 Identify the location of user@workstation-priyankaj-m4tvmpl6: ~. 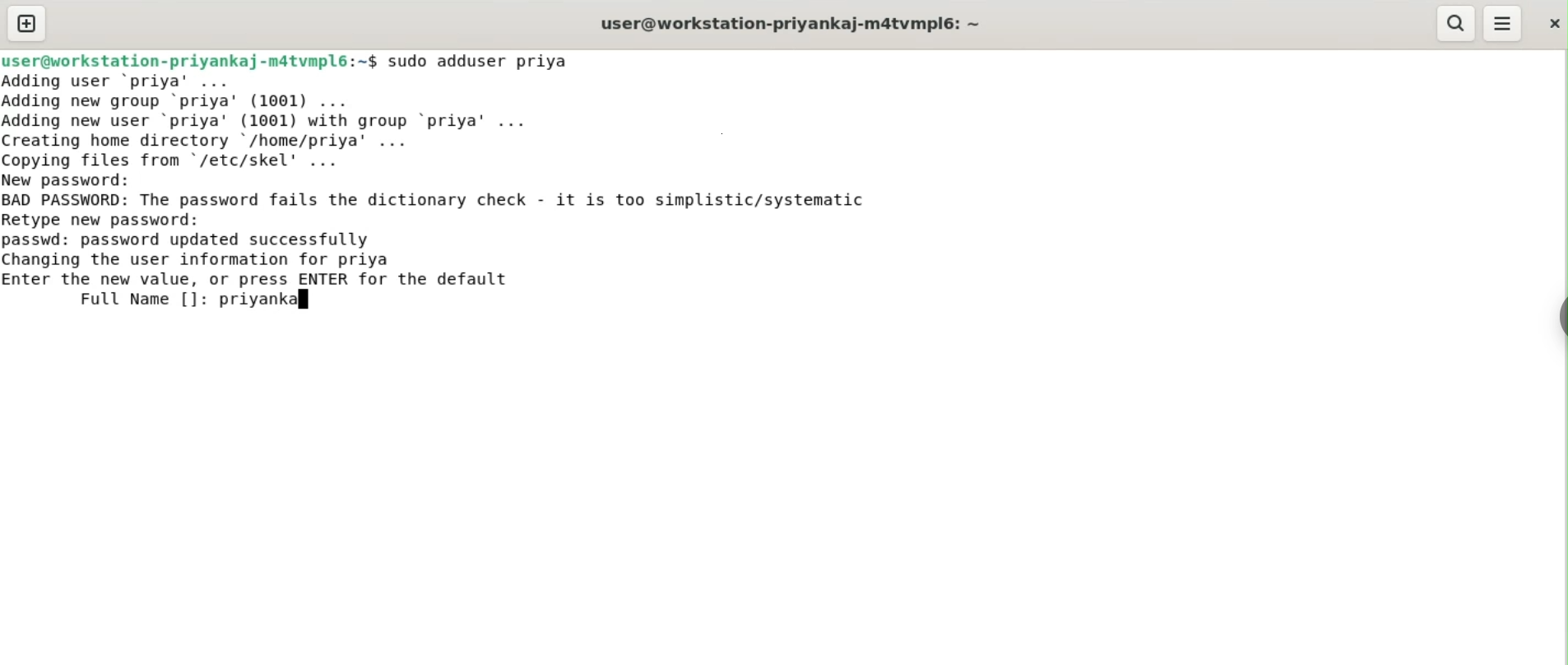
(791, 26).